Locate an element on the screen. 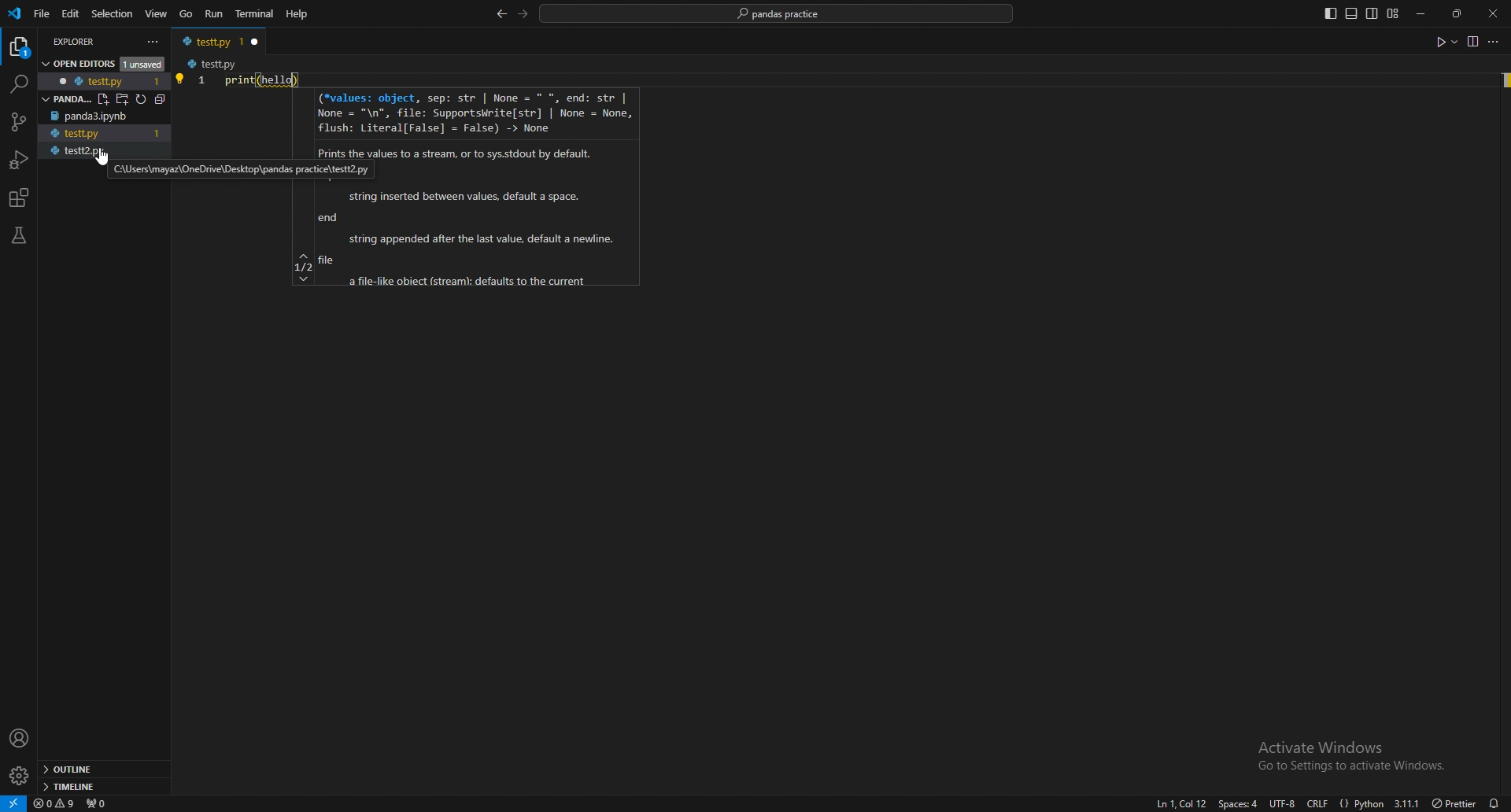  terminal is located at coordinates (256, 13).